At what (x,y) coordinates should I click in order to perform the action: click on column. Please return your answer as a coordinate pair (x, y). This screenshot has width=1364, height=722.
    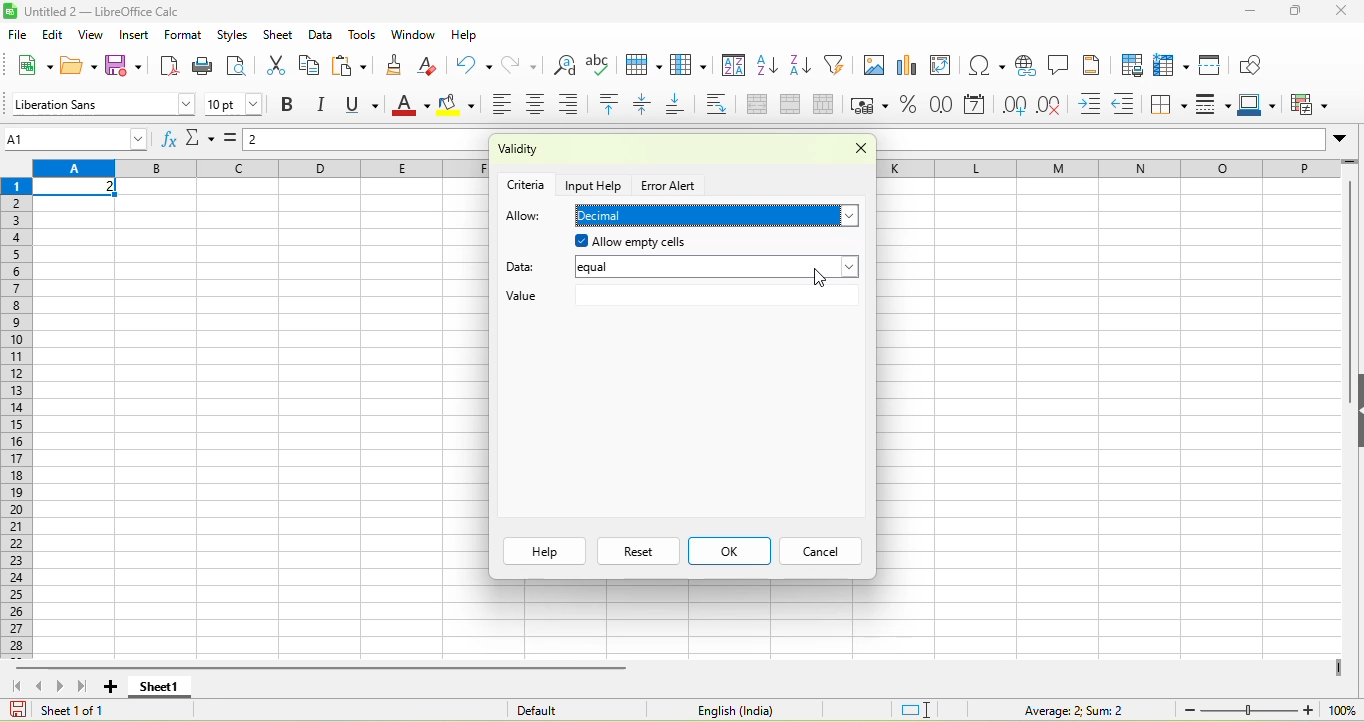
    Looking at the image, I should click on (692, 66).